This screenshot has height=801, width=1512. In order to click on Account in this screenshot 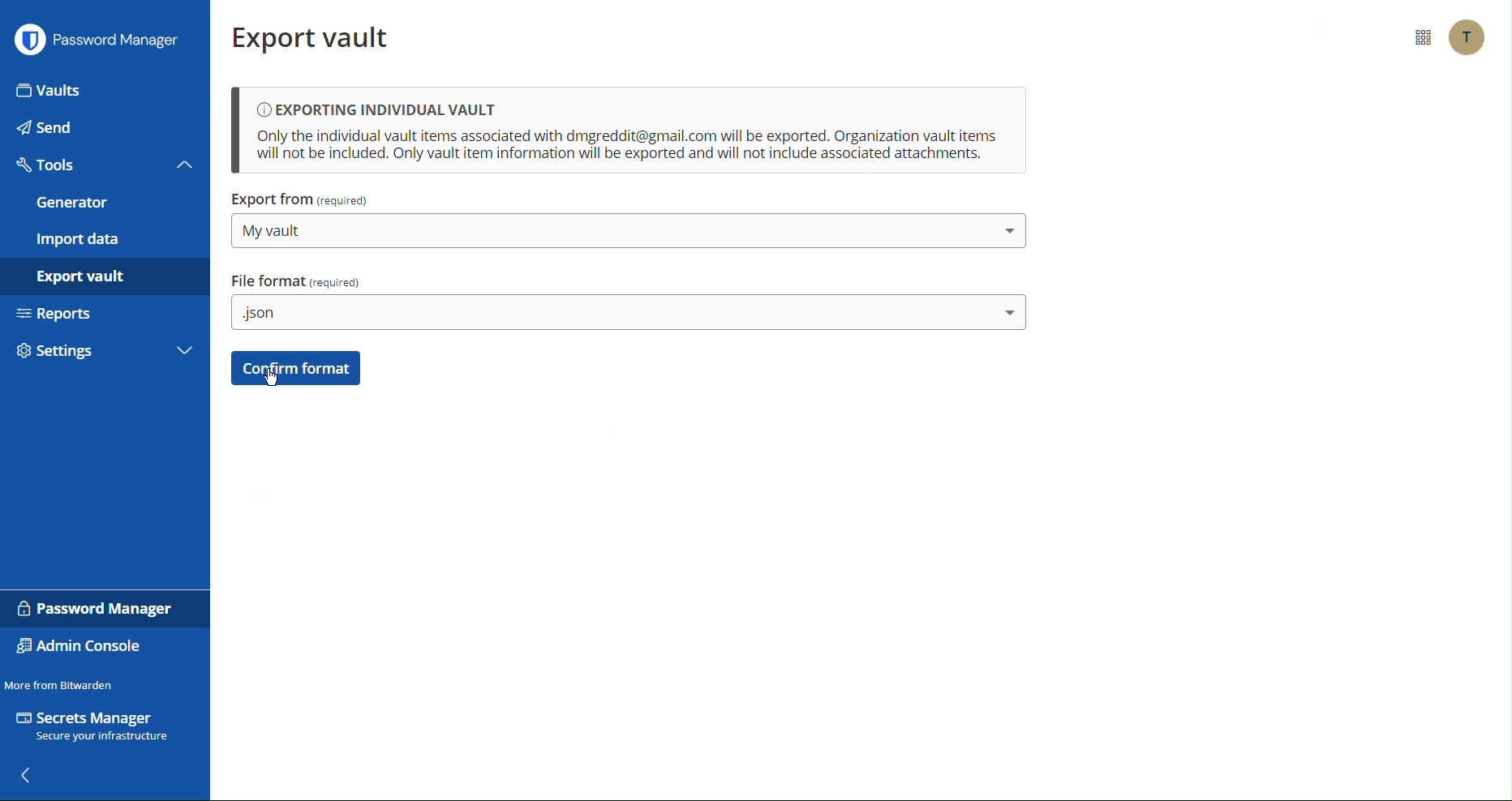, I will do `click(1468, 38)`.